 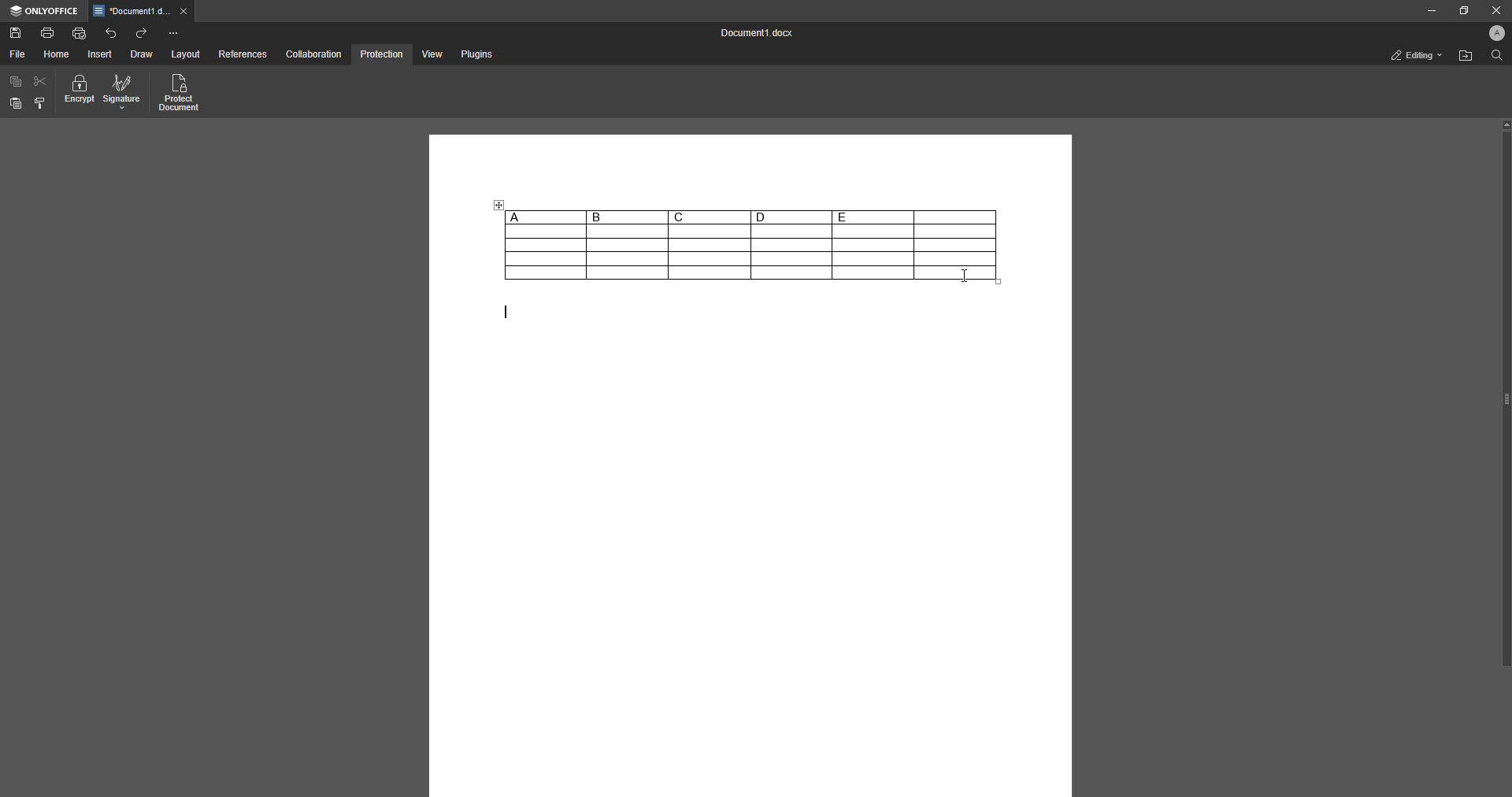 What do you see at coordinates (180, 94) in the screenshot?
I see `Protected Document` at bounding box center [180, 94].